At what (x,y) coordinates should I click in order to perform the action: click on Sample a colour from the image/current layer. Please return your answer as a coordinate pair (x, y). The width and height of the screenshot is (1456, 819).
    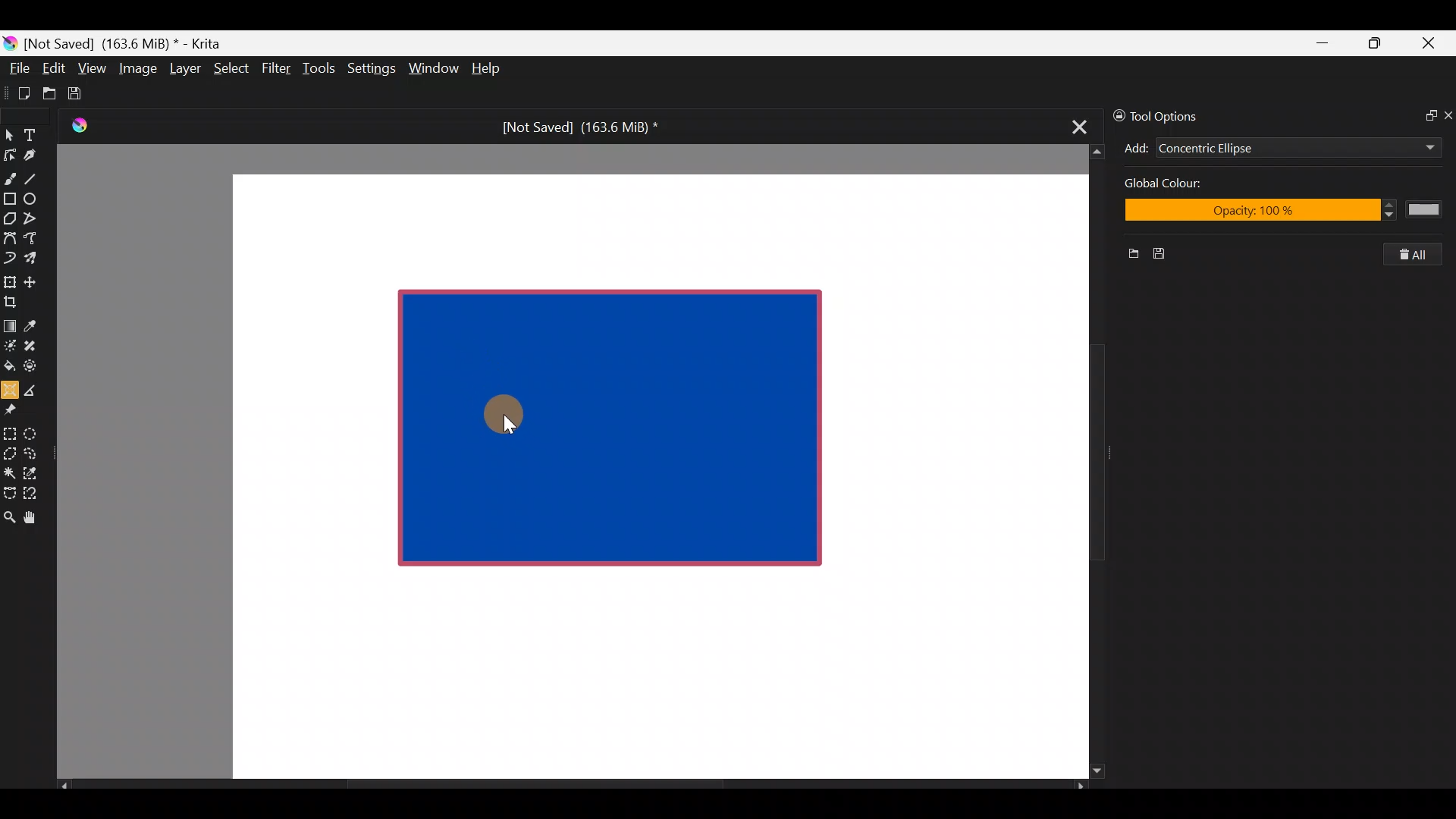
    Looking at the image, I should click on (36, 324).